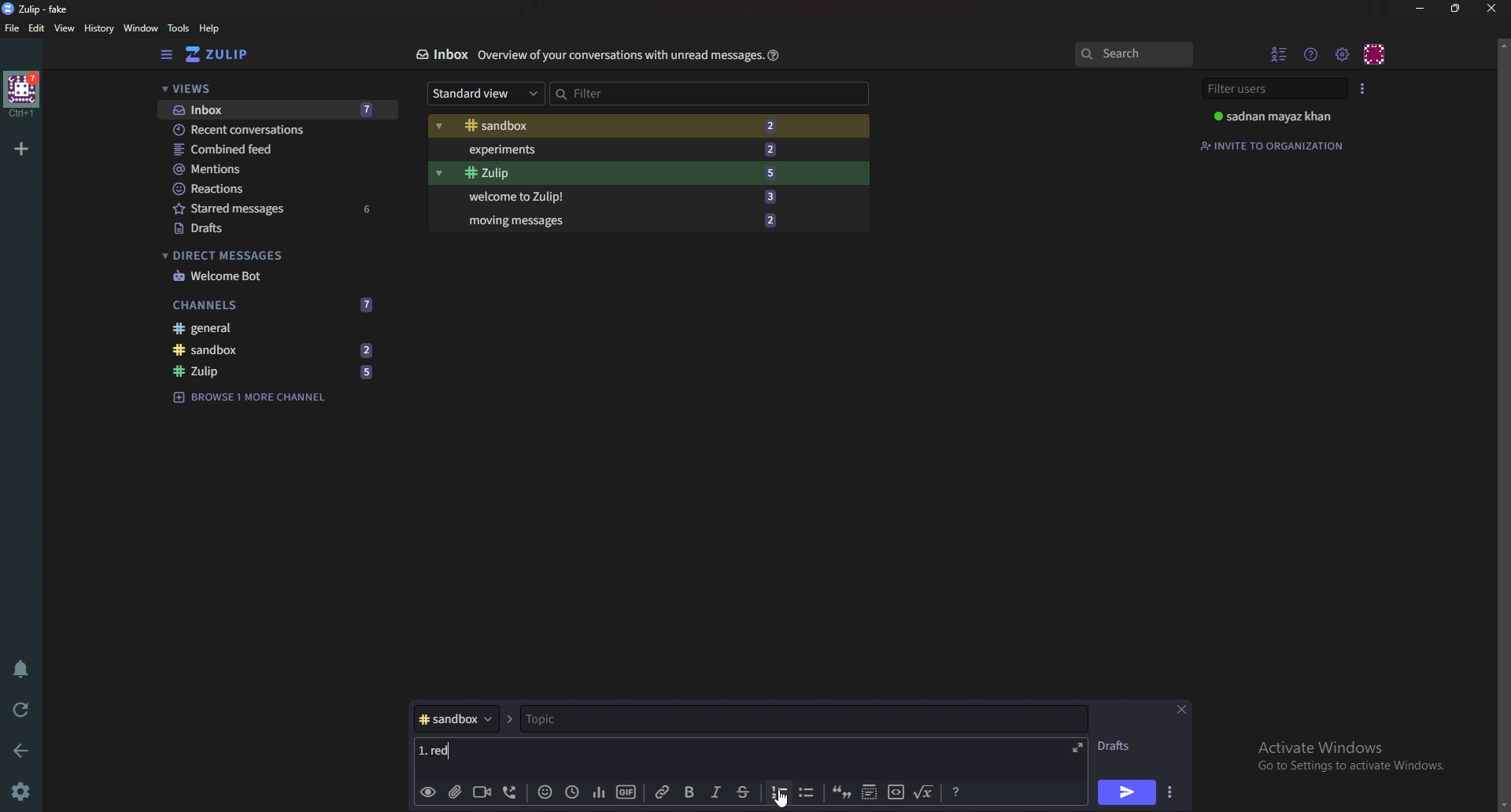 The height and width of the screenshot is (812, 1511). What do you see at coordinates (166, 55) in the screenshot?
I see `Hide sidebar` at bounding box center [166, 55].